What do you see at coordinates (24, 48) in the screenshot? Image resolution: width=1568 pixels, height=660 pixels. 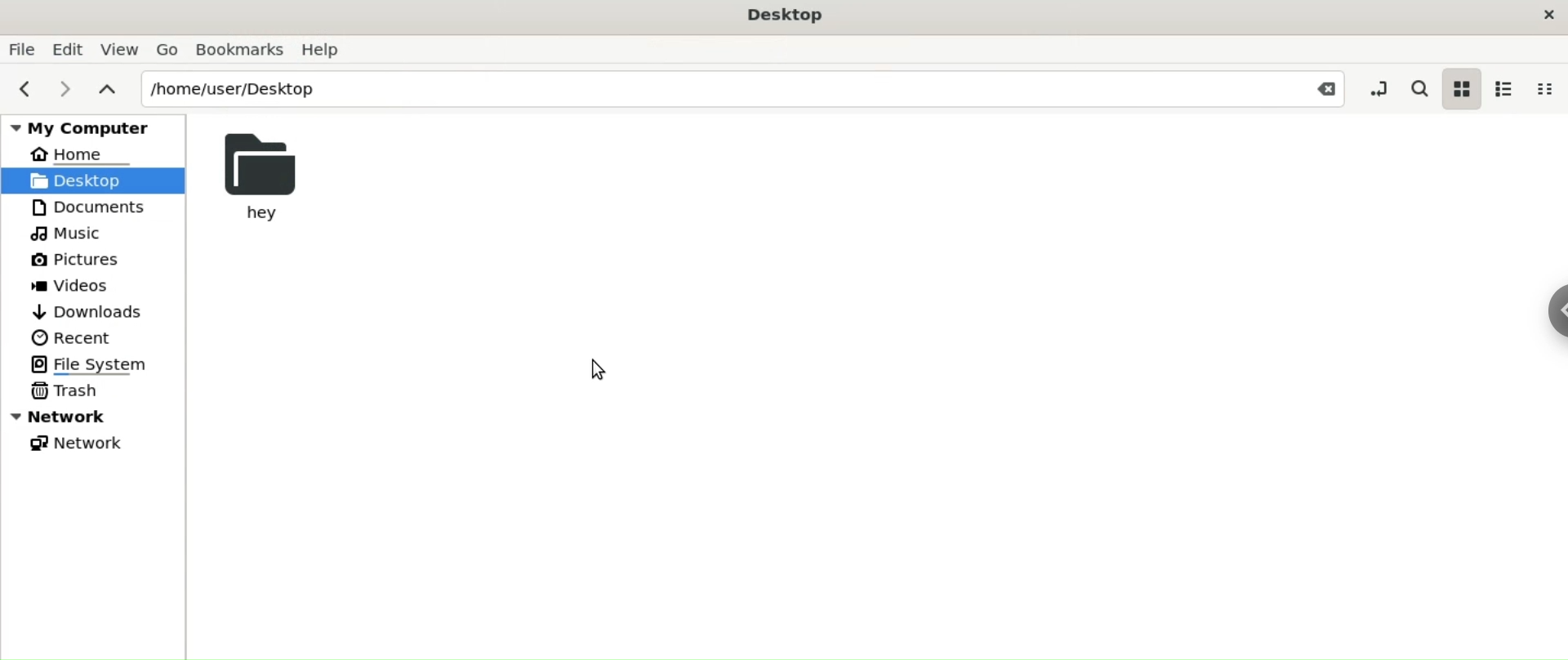 I see `File` at bounding box center [24, 48].